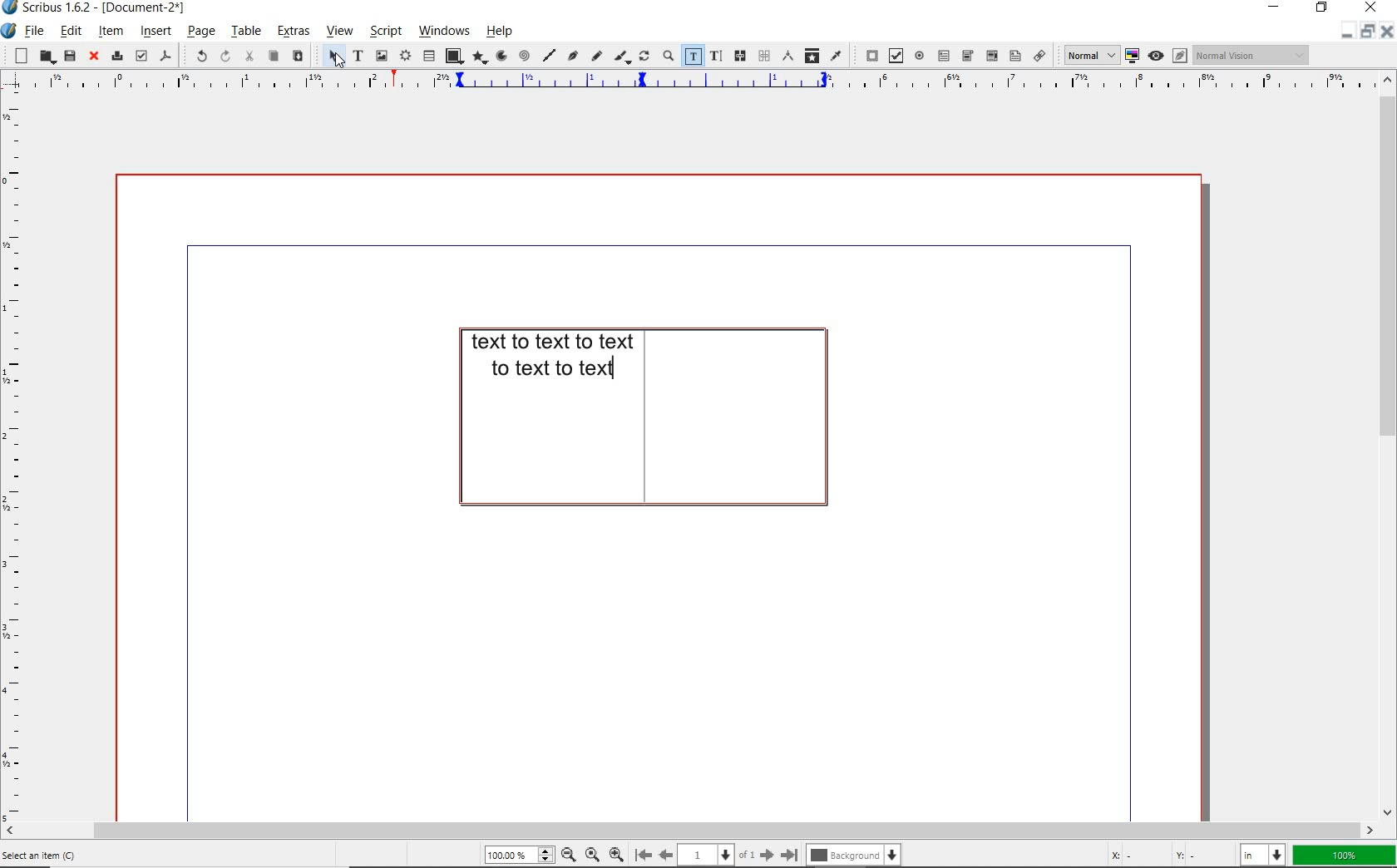 This screenshot has width=1397, height=868. I want to click on page , so click(707, 854).